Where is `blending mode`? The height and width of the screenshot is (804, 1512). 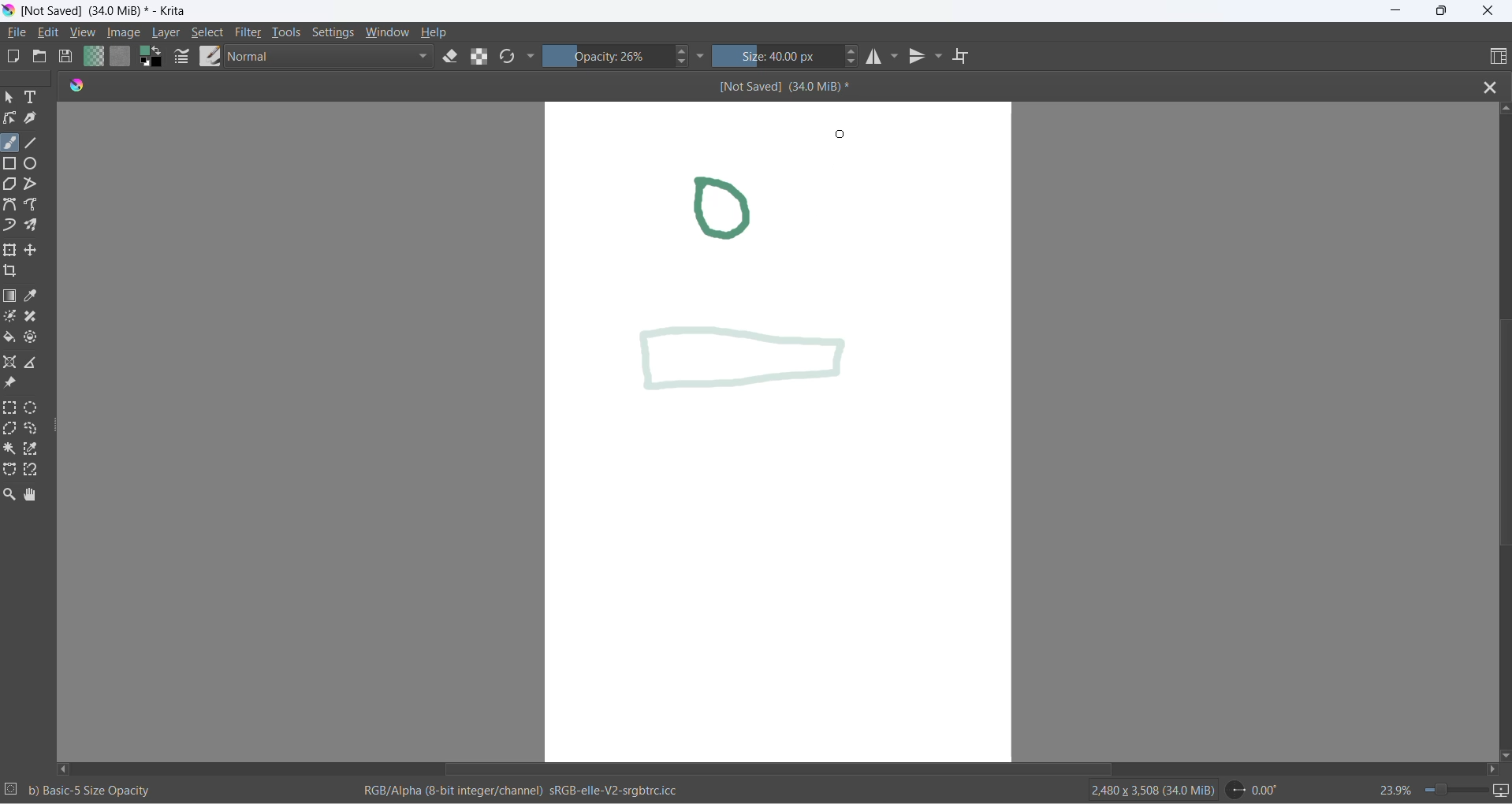
blending mode is located at coordinates (333, 58).